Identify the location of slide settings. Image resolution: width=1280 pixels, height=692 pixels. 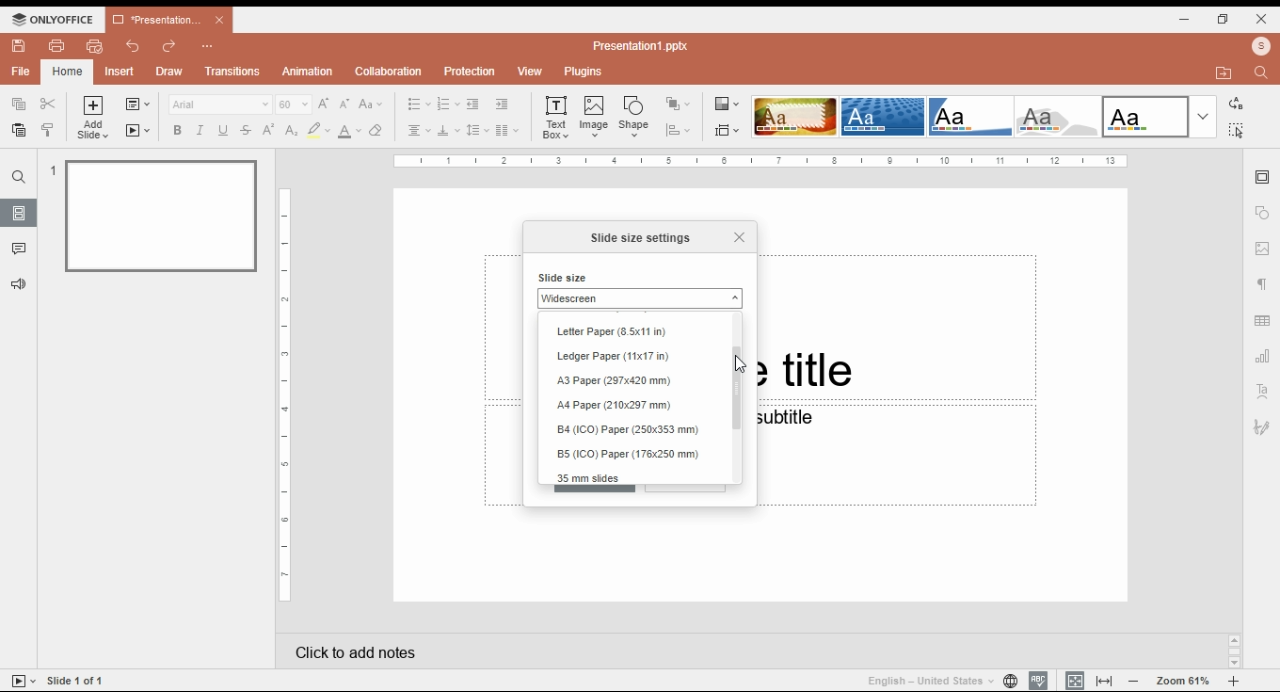
(1264, 178).